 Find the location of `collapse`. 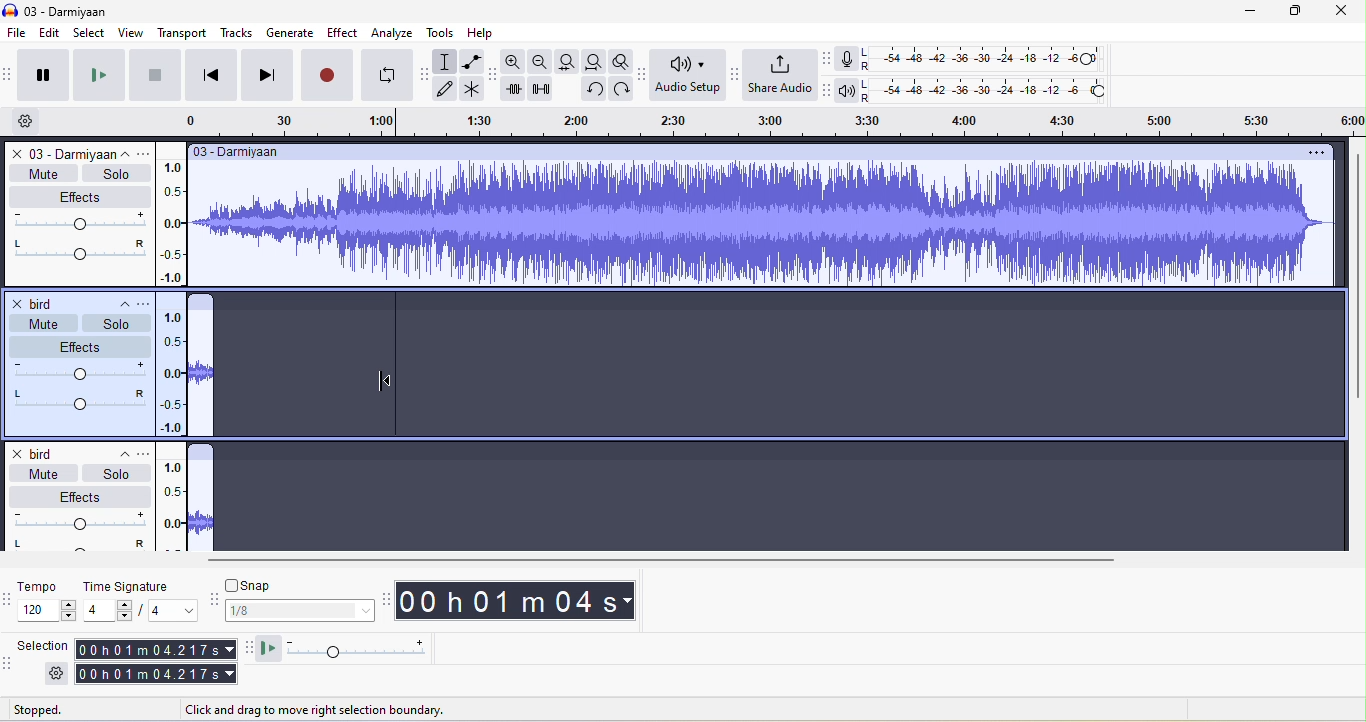

collapse is located at coordinates (117, 301).